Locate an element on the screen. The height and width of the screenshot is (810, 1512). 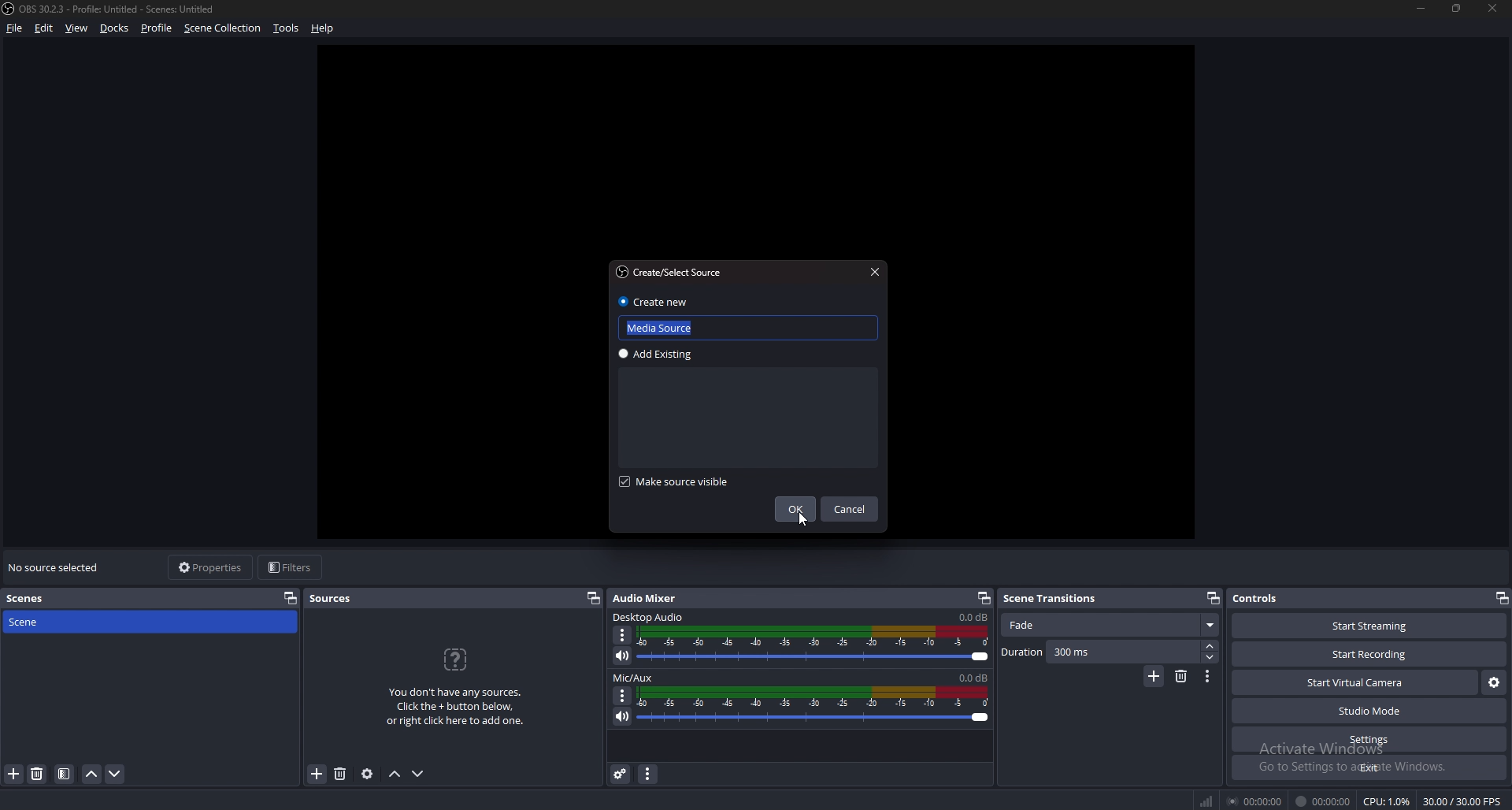
Add sources is located at coordinates (315, 773).